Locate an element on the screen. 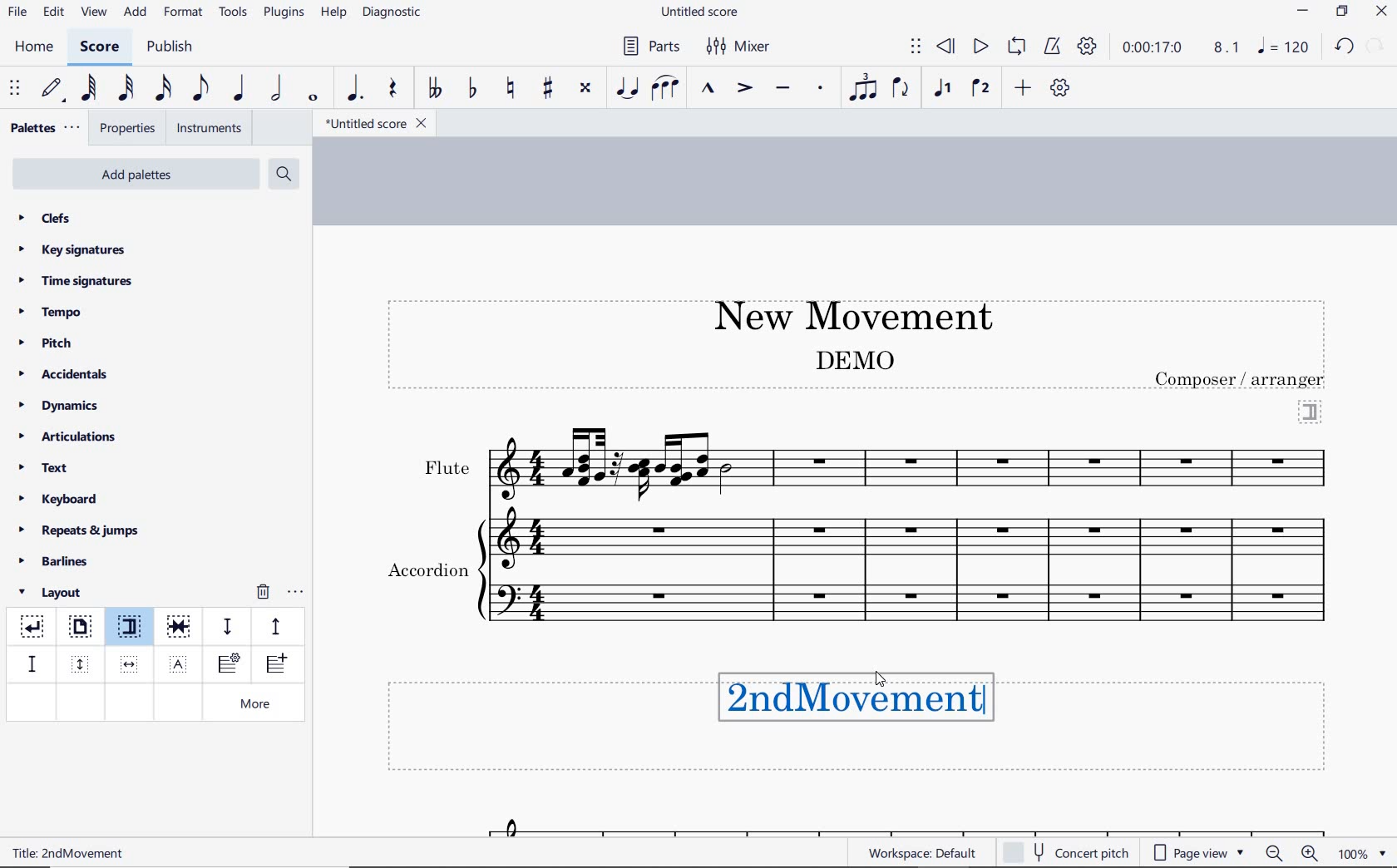 This screenshot has height=868, width=1397. instruments is located at coordinates (206, 129).